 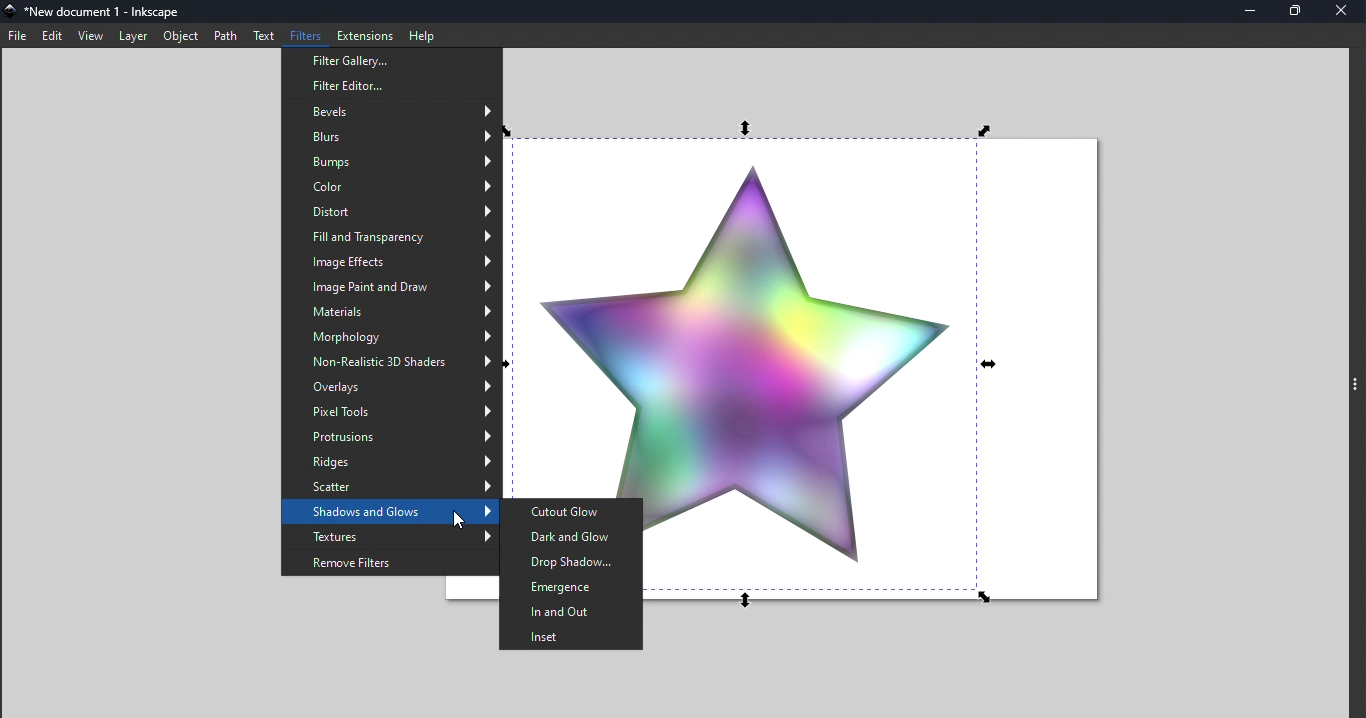 What do you see at coordinates (572, 612) in the screenshot?
I see `In and Out` at bounding box center [572, 612].